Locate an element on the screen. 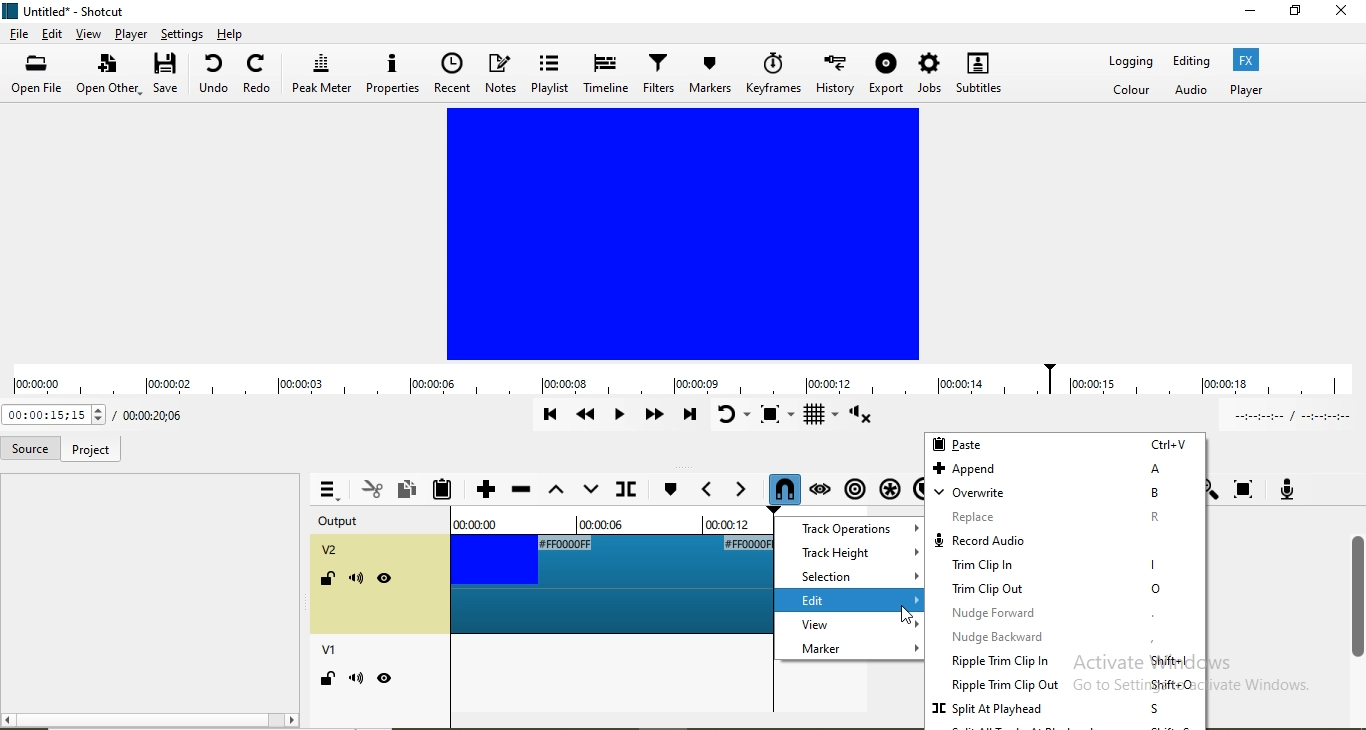 The height and width of the screenshot is (730, 1366). track height is located at coordinates (853, 552).